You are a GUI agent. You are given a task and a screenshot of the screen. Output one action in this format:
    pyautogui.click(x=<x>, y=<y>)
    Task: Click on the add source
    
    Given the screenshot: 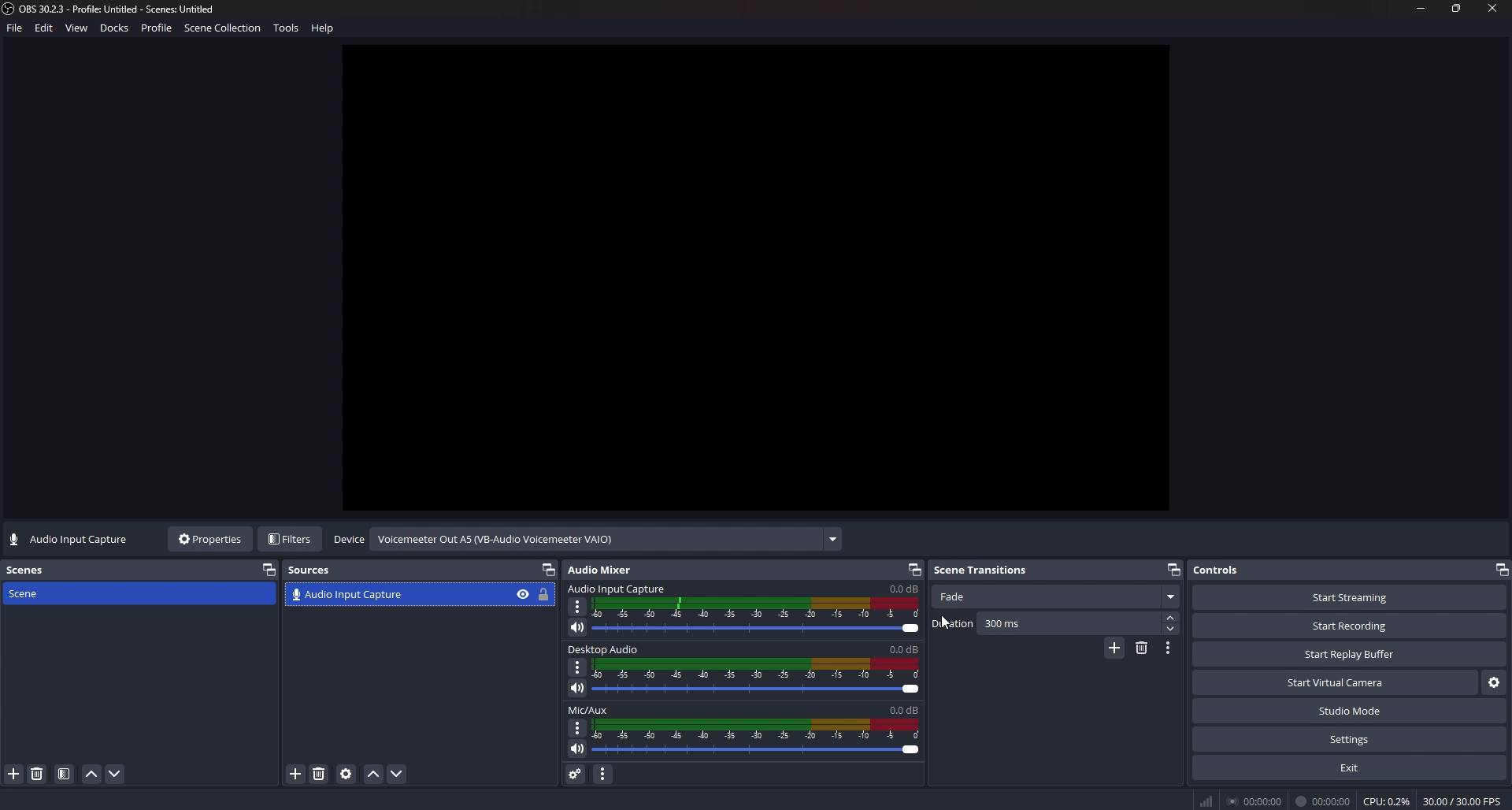 What is the action you would take?
    pyautogui.click(x=297, y=774)
    